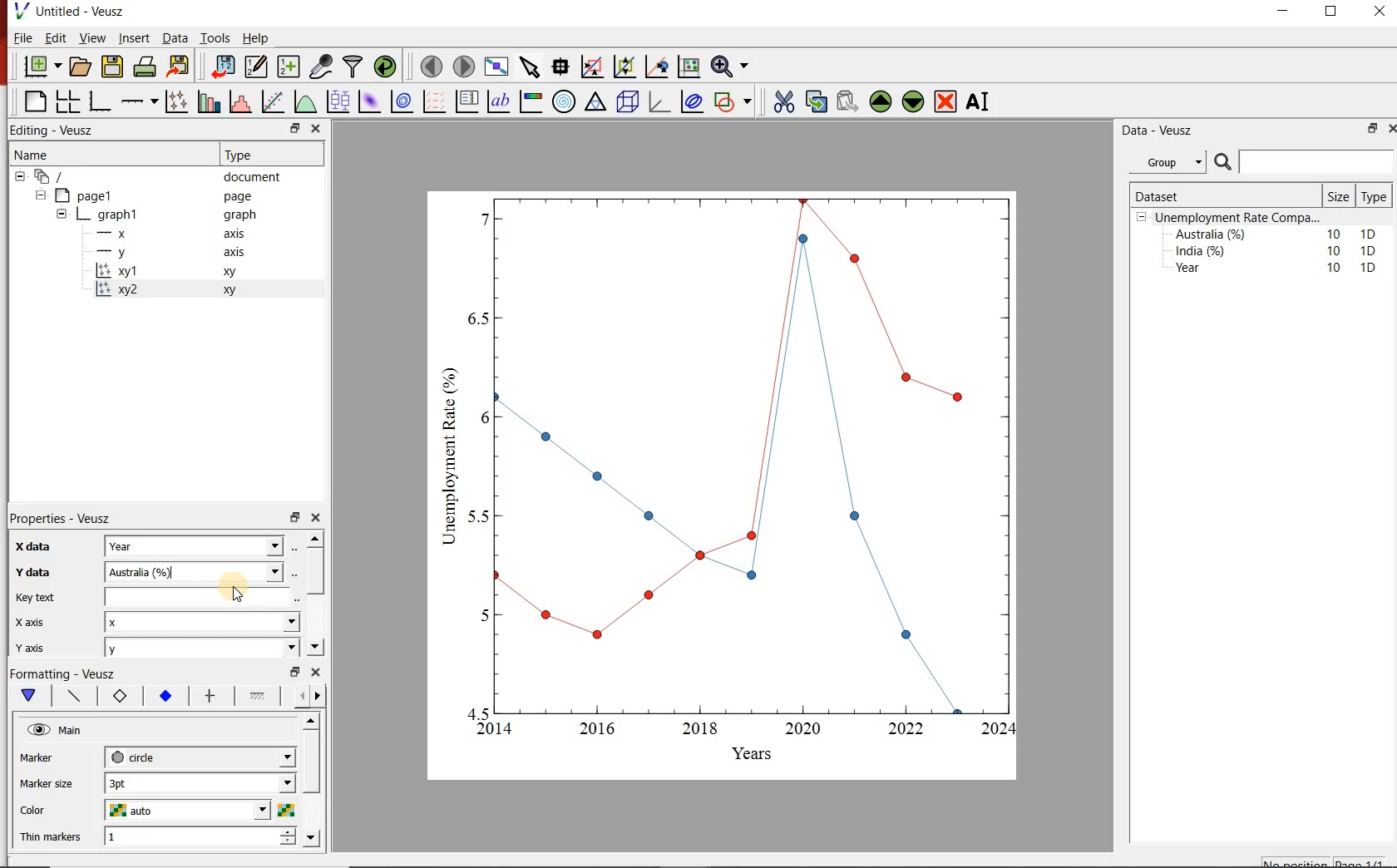  I want to click on collapse, so click(40, 195).